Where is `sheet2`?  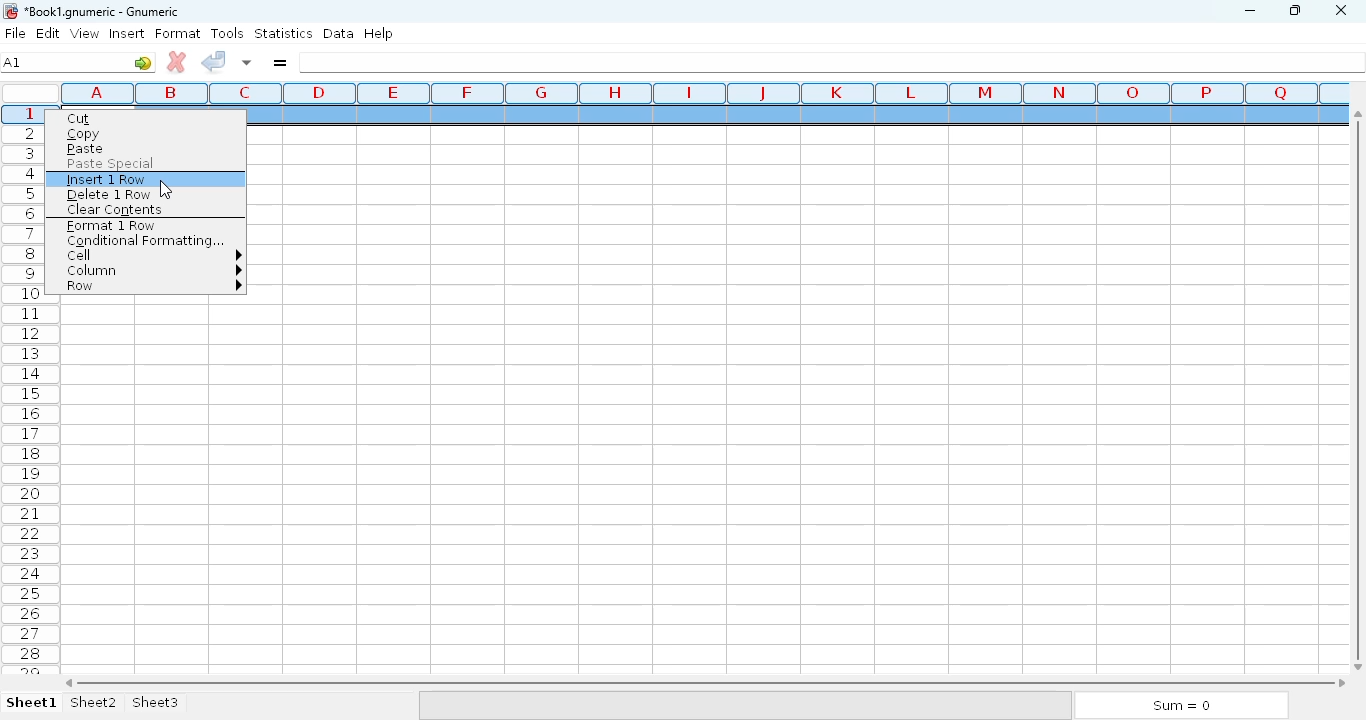
sheet2 is located at coordinates (95, 703).